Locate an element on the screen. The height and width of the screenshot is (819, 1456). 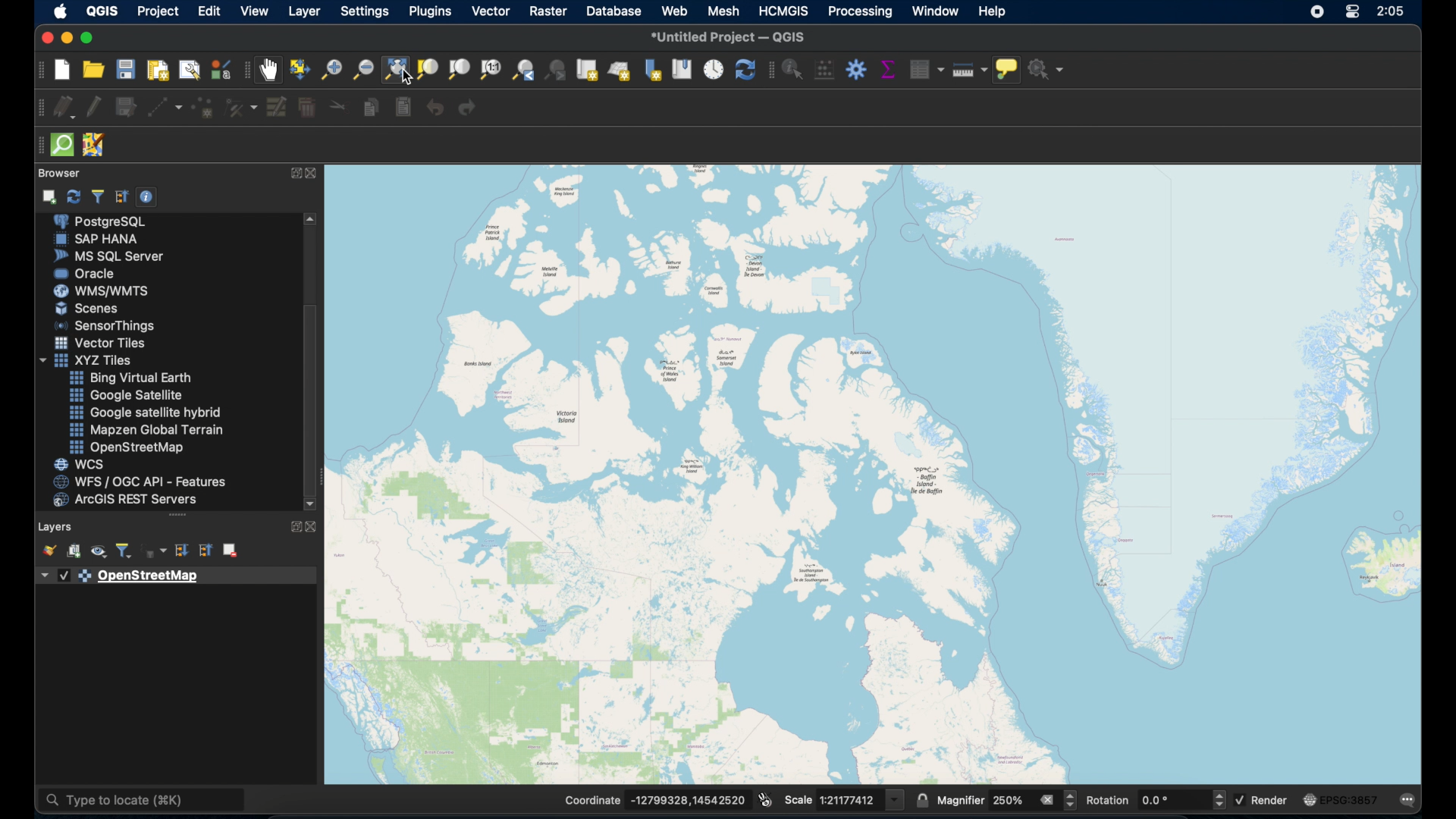
settings is located at coordinates (366, 11).